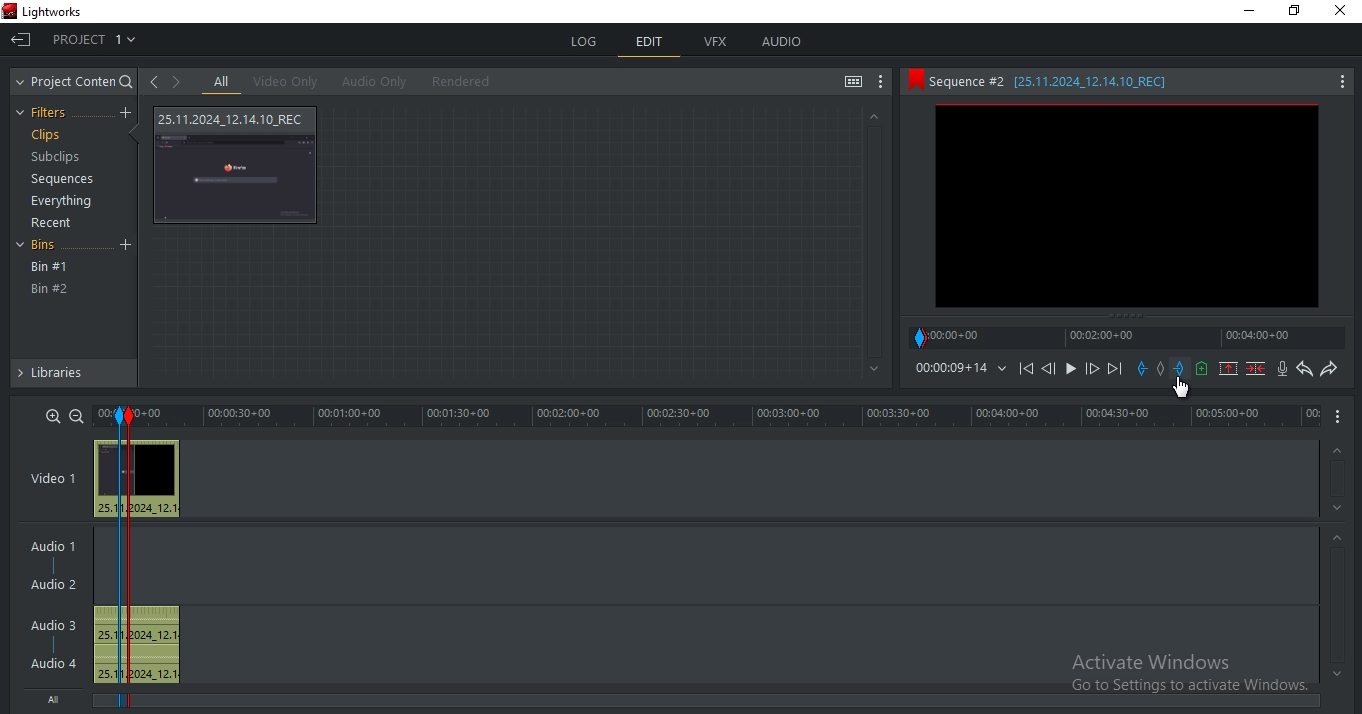 This screenshot has height=714, width=1362. What do you see at coordinates (49, 247) in the screenshot?
I see `bins` at bounding box center [49, 247].